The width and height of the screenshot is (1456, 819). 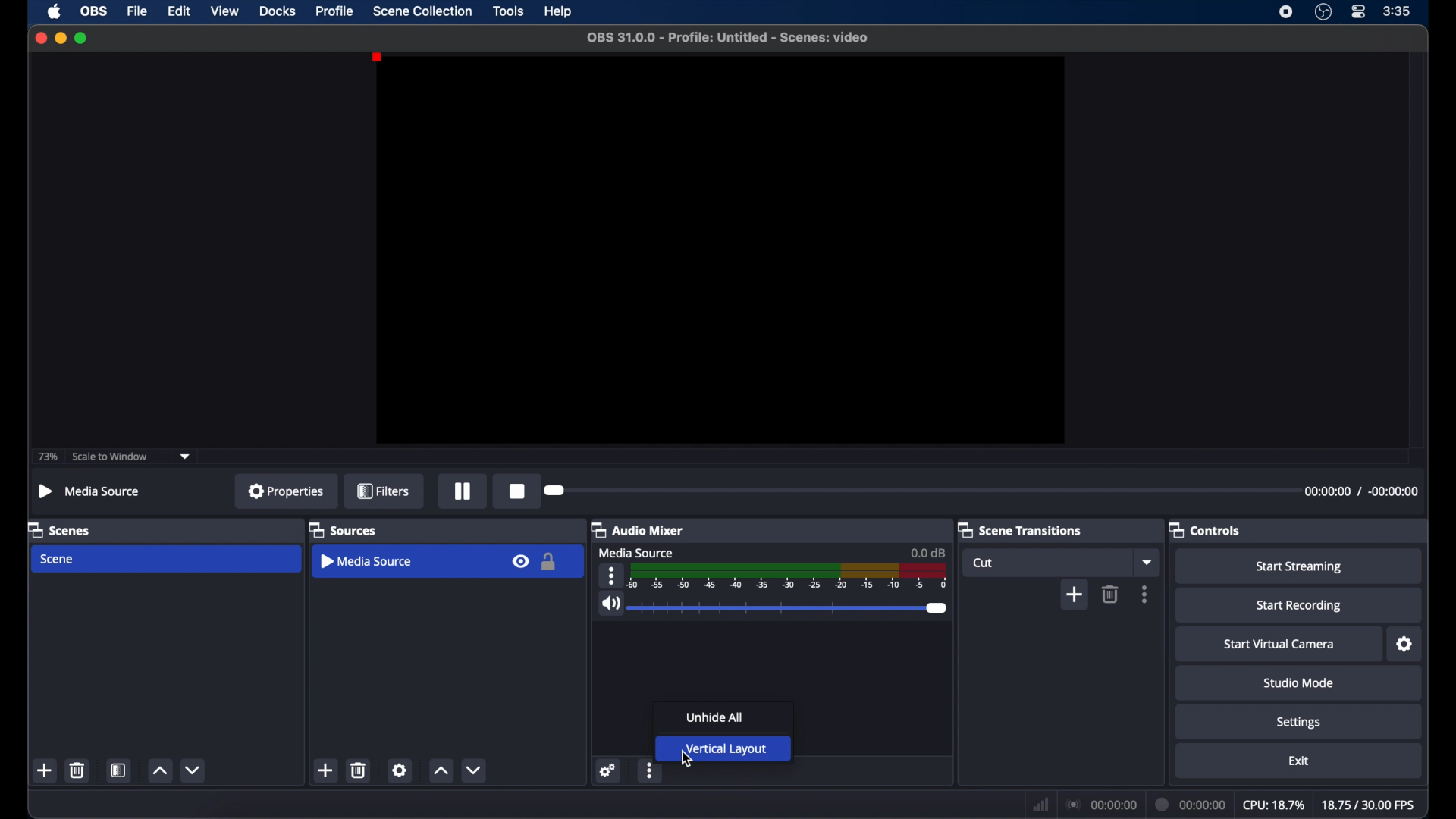 I want to click on studio mode, so click(x=1300, y=682).